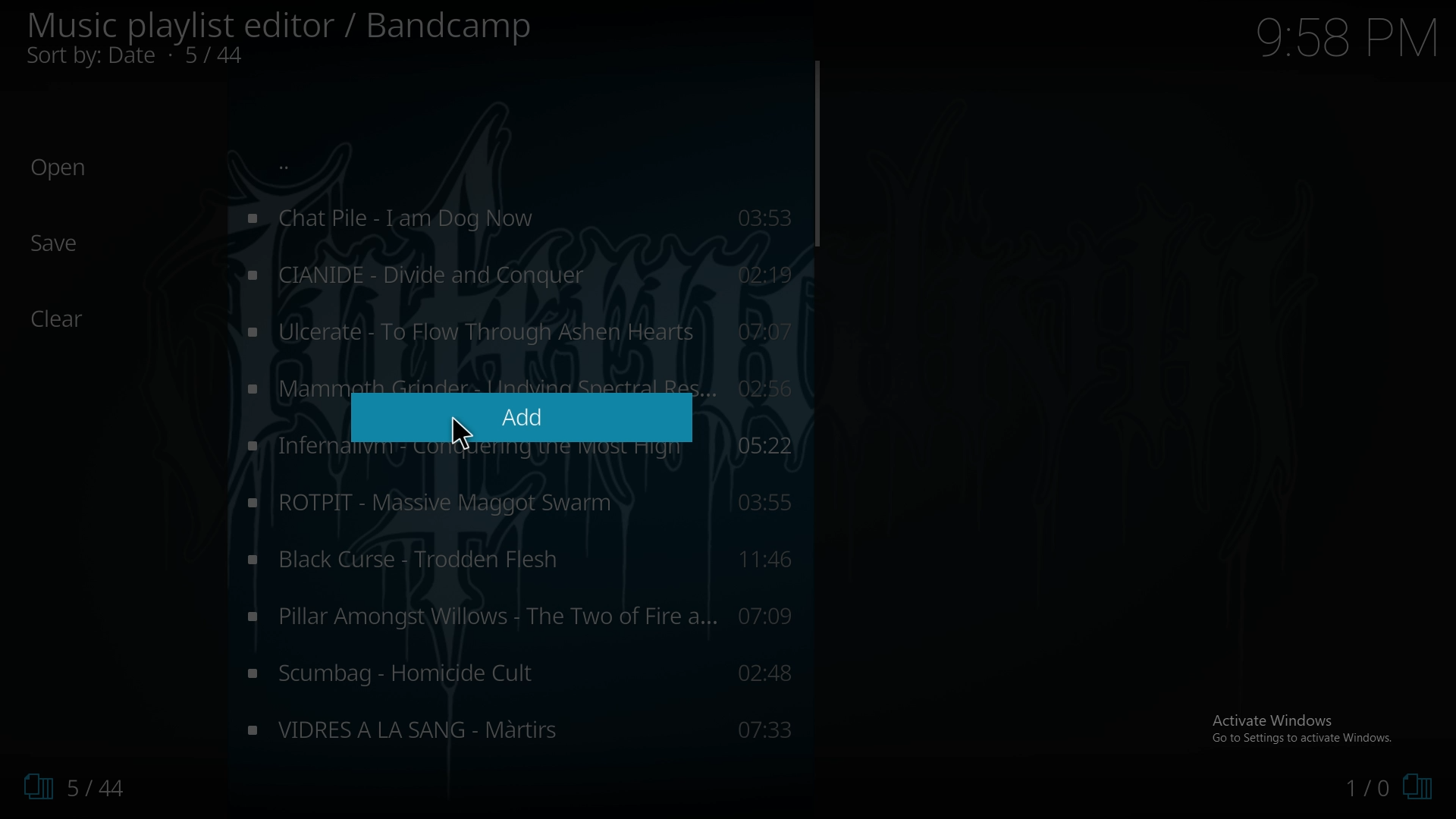 Image resolution: width=1456 pixels, height=819 pixels. What do you see at coordinates (1388, 789) in the screenshot?
I see `1/0` at bounding box center [1388, 789].